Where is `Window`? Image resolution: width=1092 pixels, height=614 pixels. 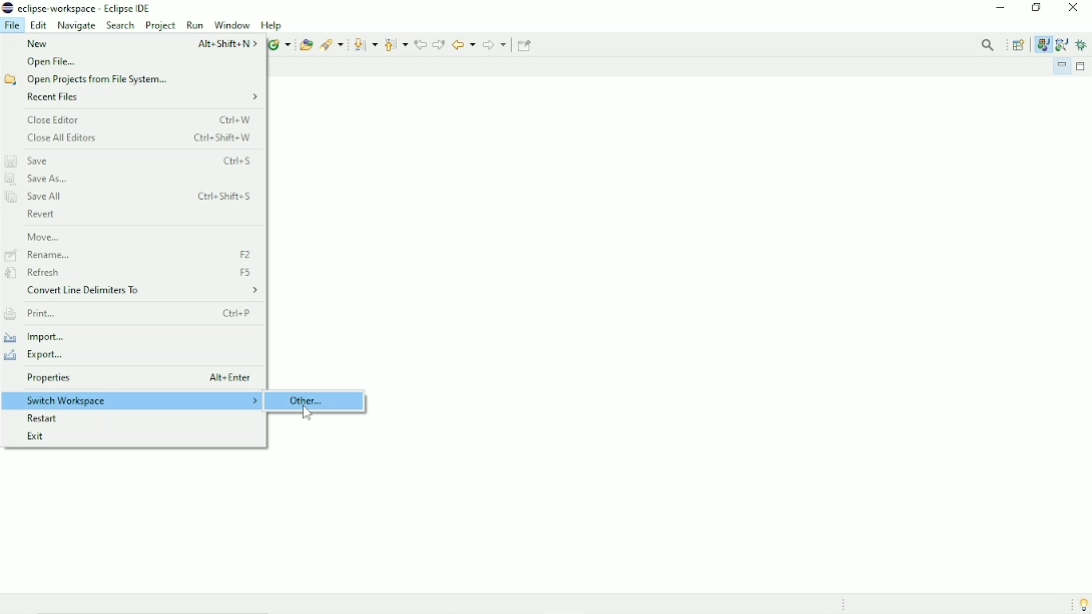 Window is located at coordinates (231, 25).